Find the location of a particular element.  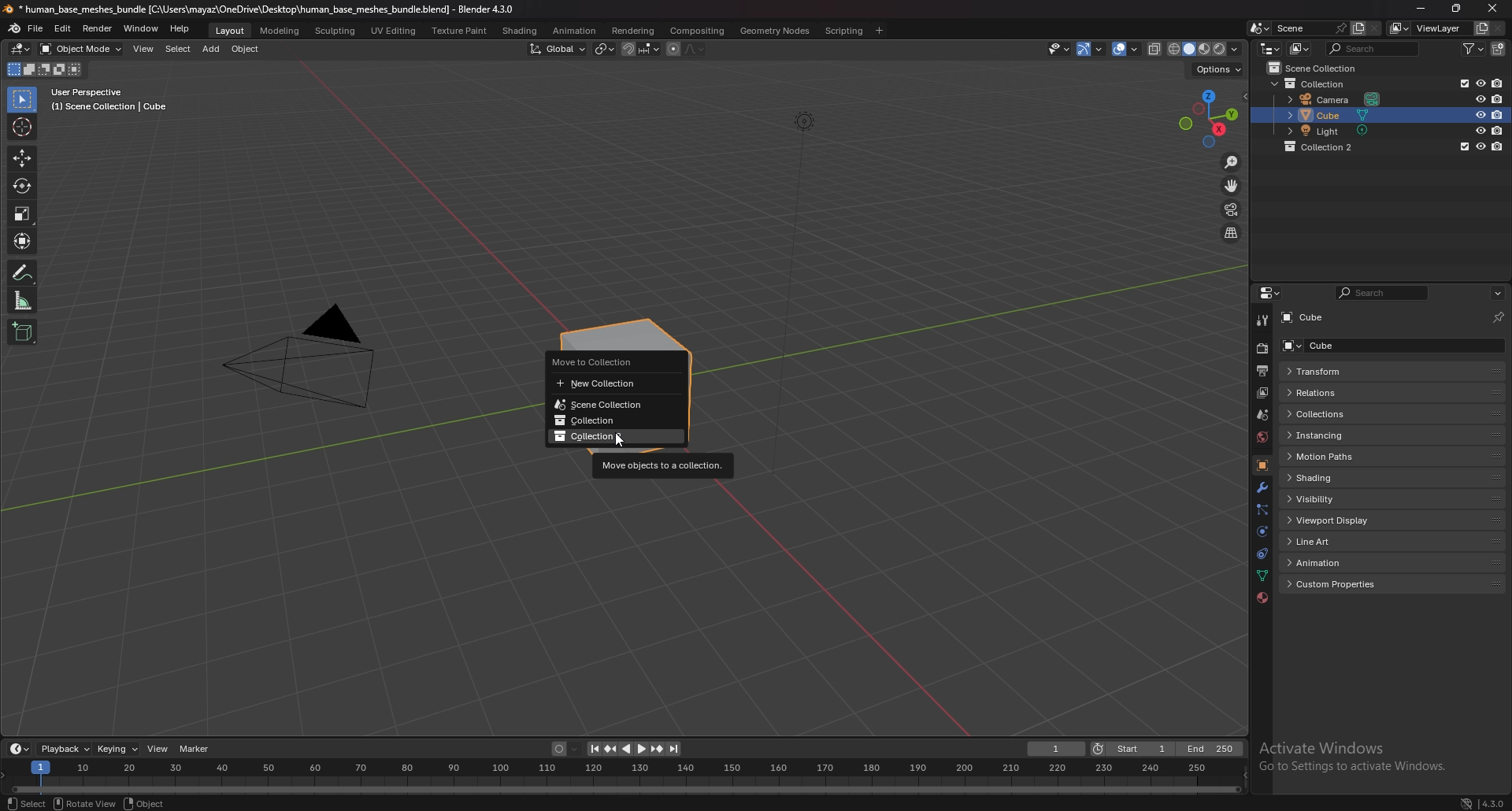

particles is located at coordinates (1262, 510).